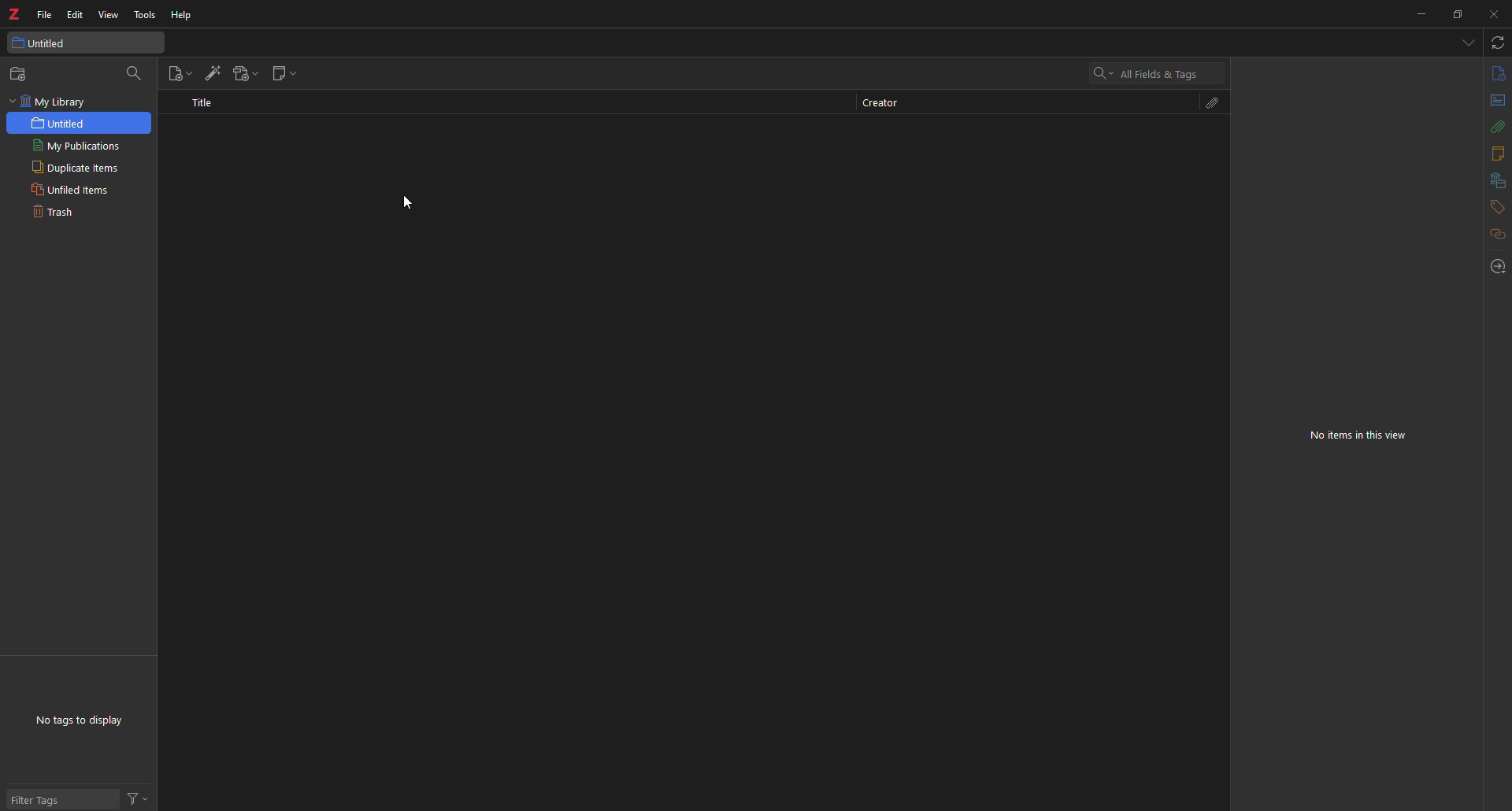  I want to click on actions, so click(137, 797).